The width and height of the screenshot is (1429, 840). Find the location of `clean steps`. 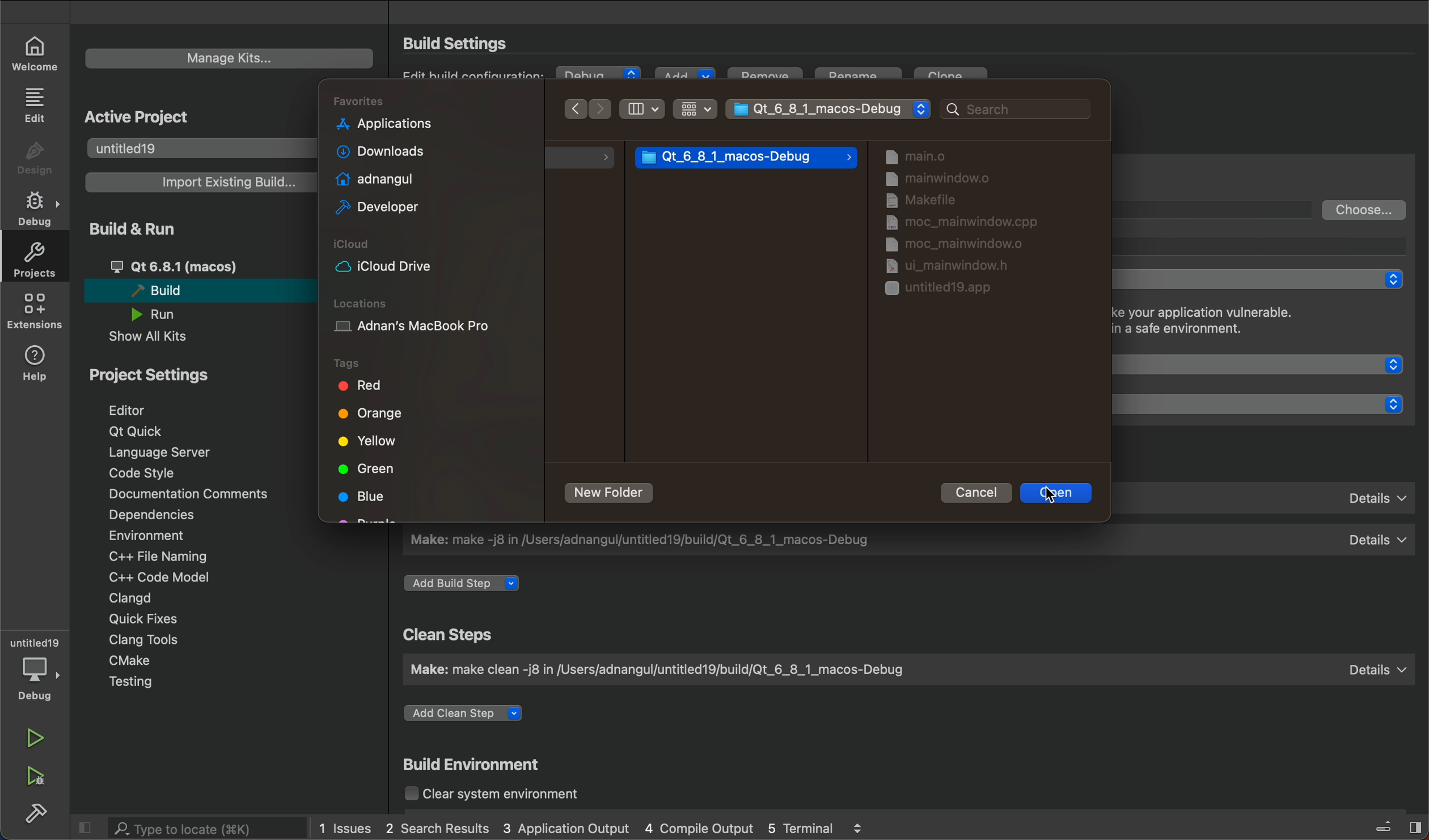

clean steps is located at coordinates (452, 635).